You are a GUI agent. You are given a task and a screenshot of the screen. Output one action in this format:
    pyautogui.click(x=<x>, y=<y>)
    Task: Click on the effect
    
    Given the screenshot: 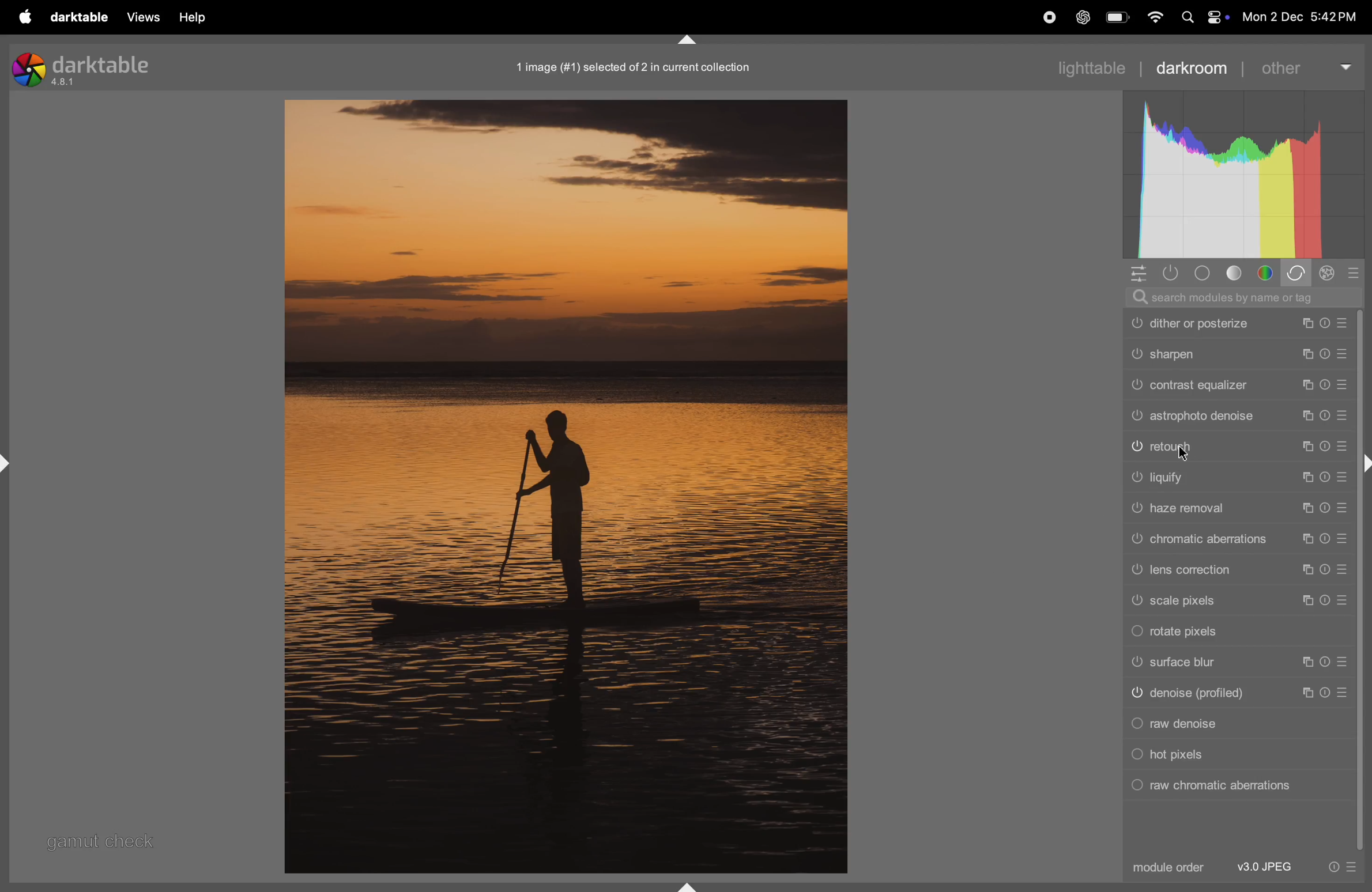 What is the action you would take?
    pyautogui.click(x=1329, y=275)
    